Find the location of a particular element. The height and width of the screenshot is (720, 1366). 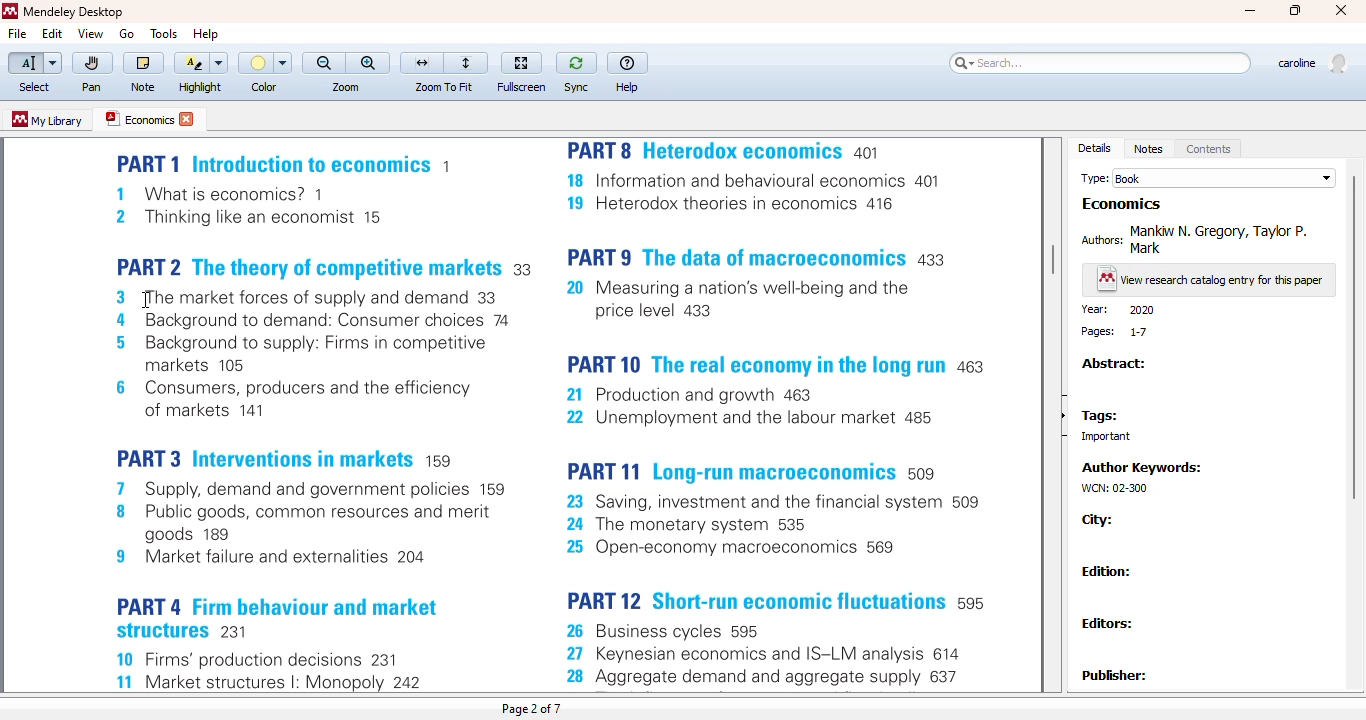

Abstract: is located at coordinates (1114, 363).